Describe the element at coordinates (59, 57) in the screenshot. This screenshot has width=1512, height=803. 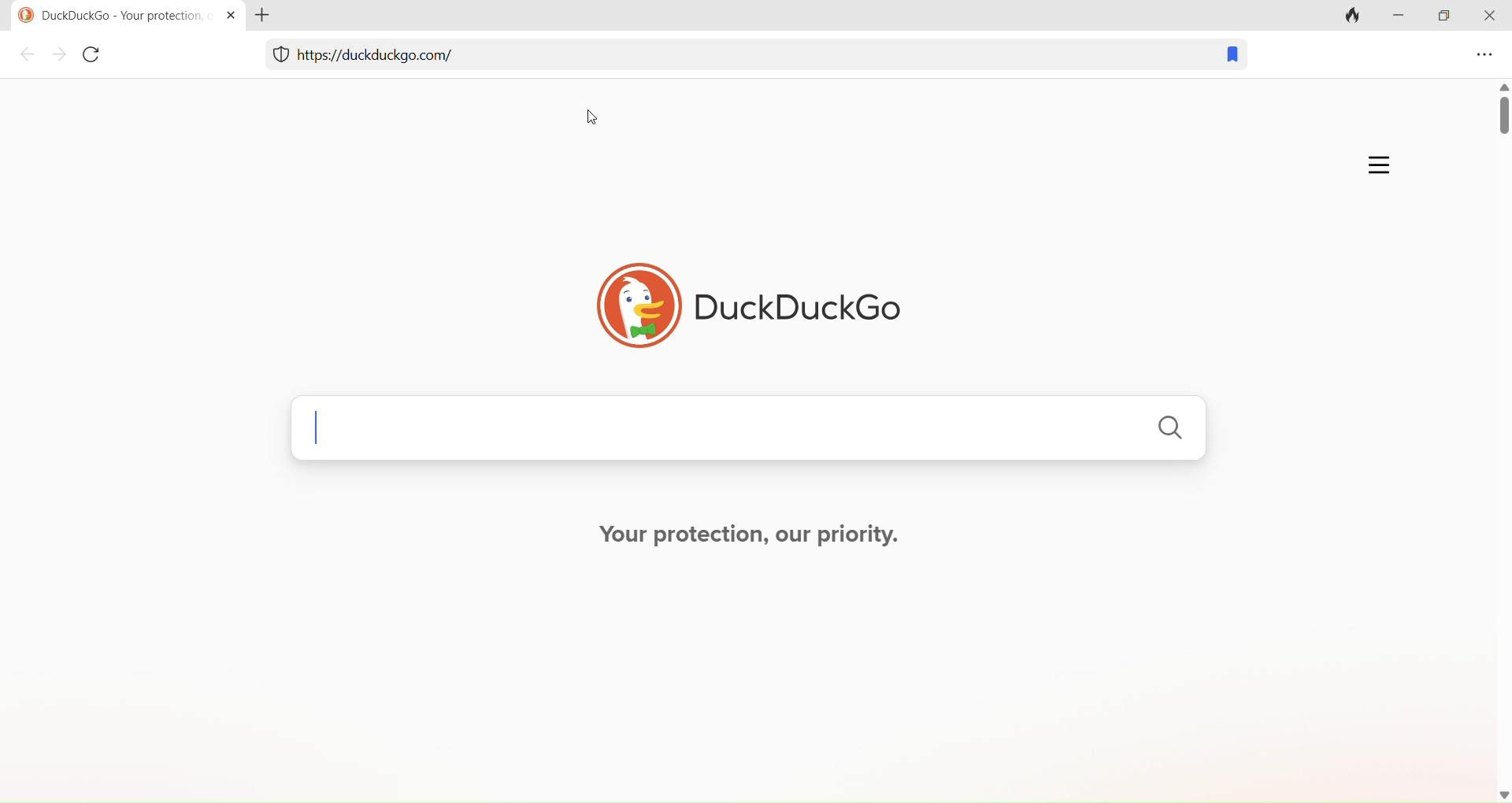
I see `forward` at that location.